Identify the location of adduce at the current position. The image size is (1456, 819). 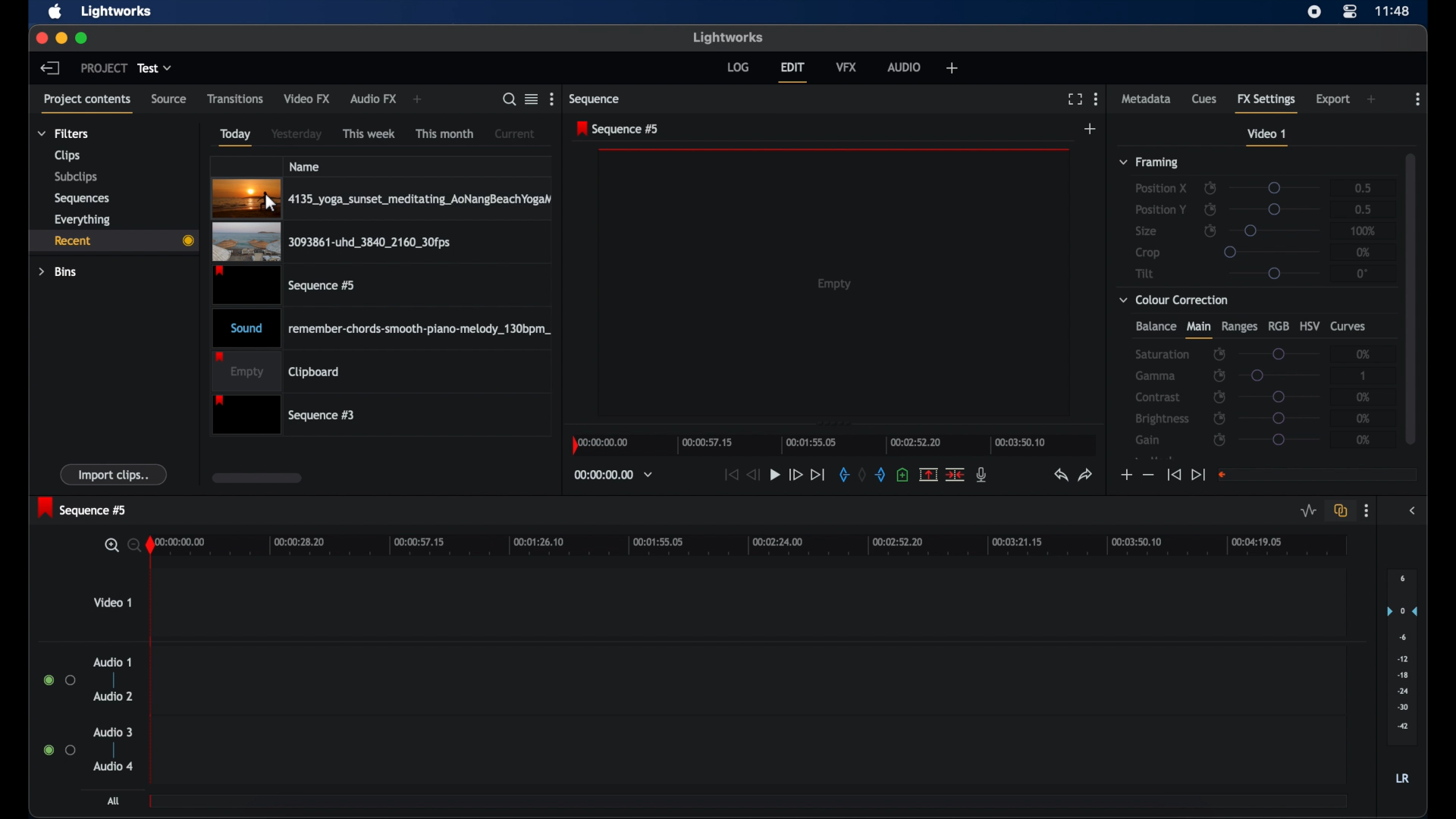
(902, 474).